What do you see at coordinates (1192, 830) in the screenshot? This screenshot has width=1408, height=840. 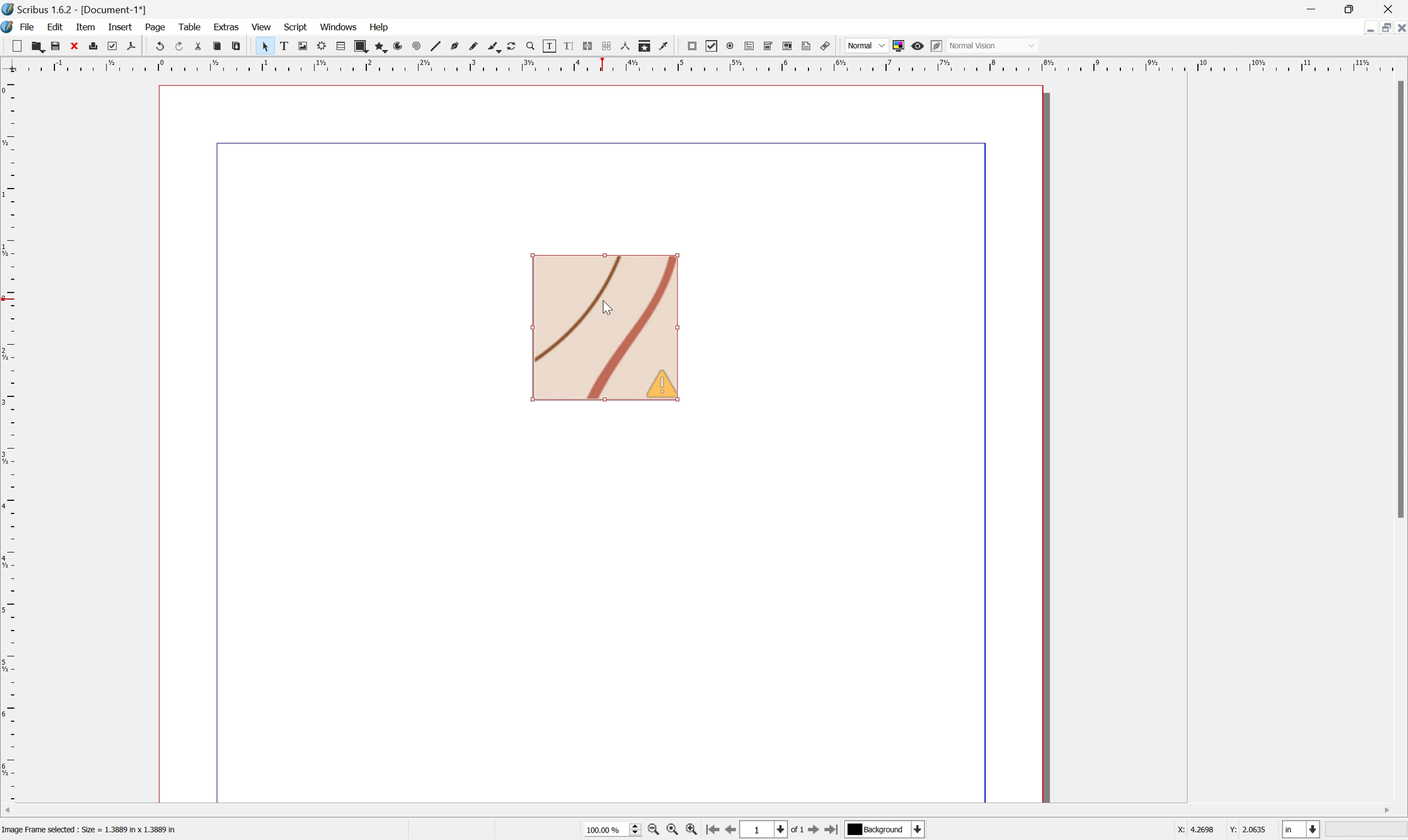 I see `x: 4.2698` at bounding box center [1192, 830].